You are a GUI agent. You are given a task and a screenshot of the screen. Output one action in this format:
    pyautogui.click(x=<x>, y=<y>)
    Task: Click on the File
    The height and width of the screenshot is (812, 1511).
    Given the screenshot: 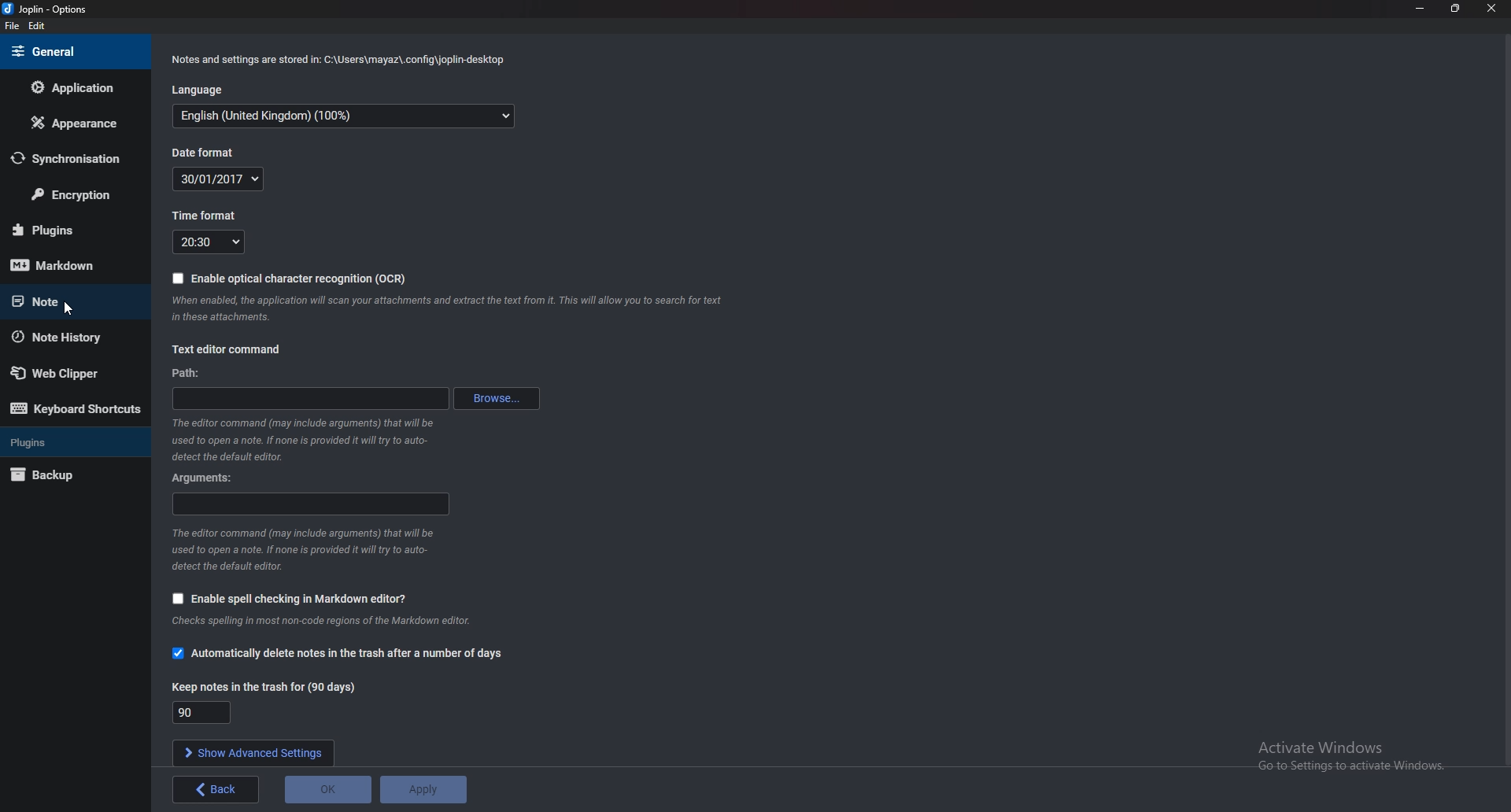 What is the action you would take?
    pyautogui.click(x=14, y=27)
    